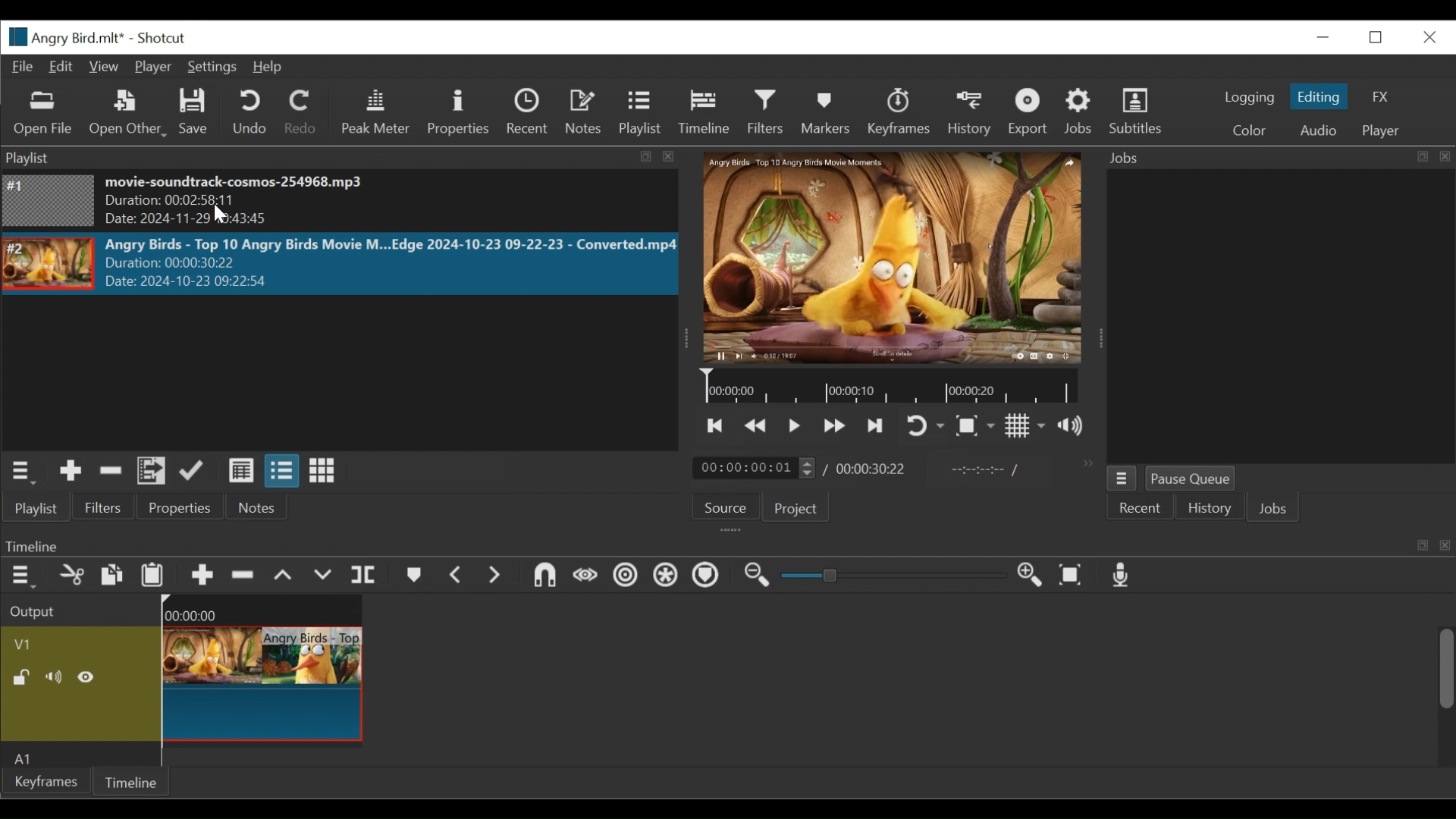 The height and width of the screenshot is (819, 1456). What do you see at coordinates (412, 576) in the screenshot?
I see `Markers` at bounding box center [412, 576].